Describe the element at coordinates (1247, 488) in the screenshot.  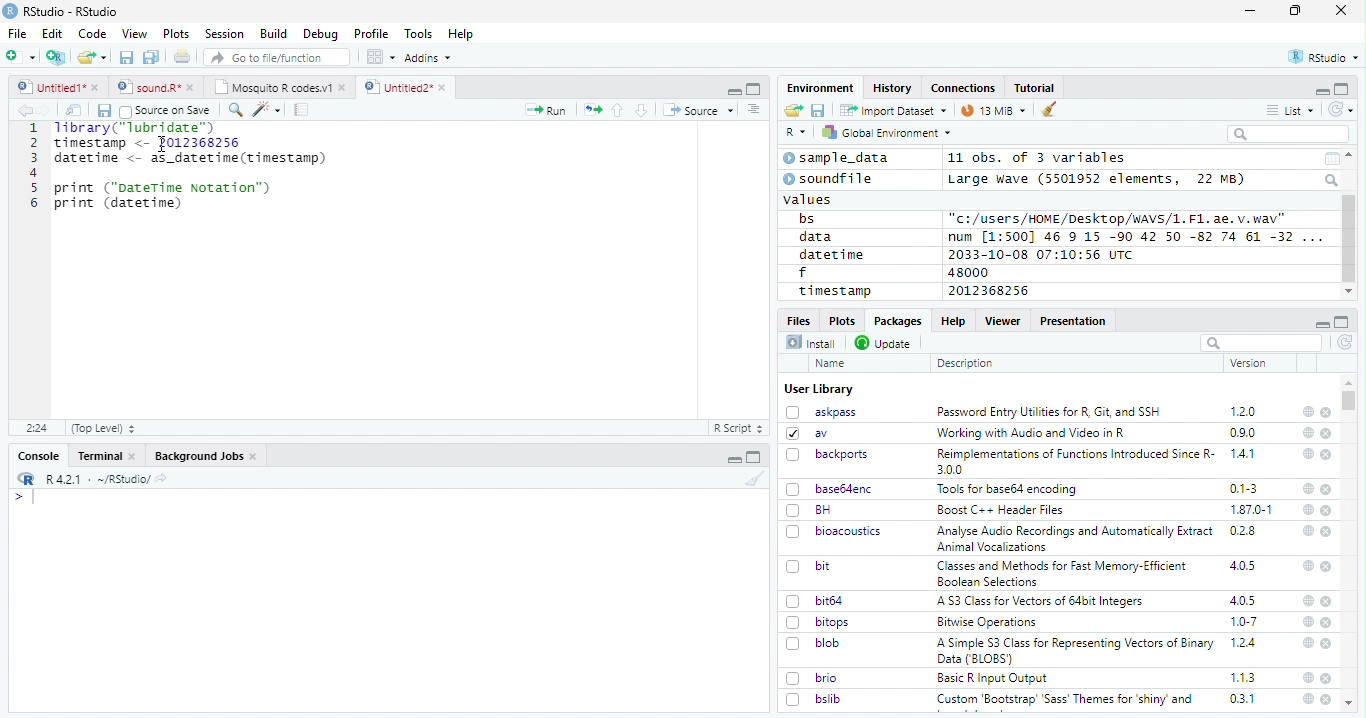
I see `0.1-3` at that location.